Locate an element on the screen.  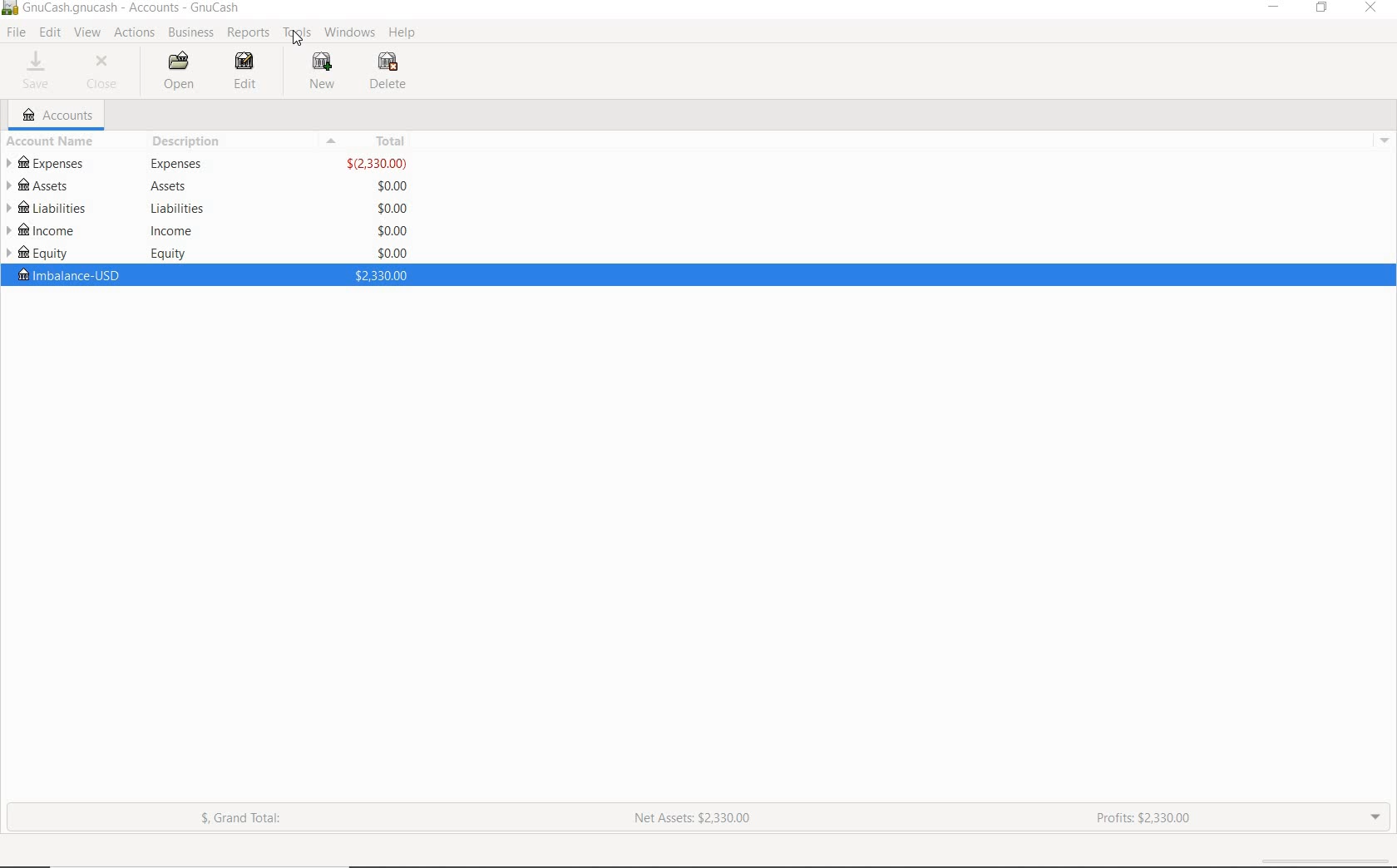
GRAND TOTAL is located at coordinates (239, 816).